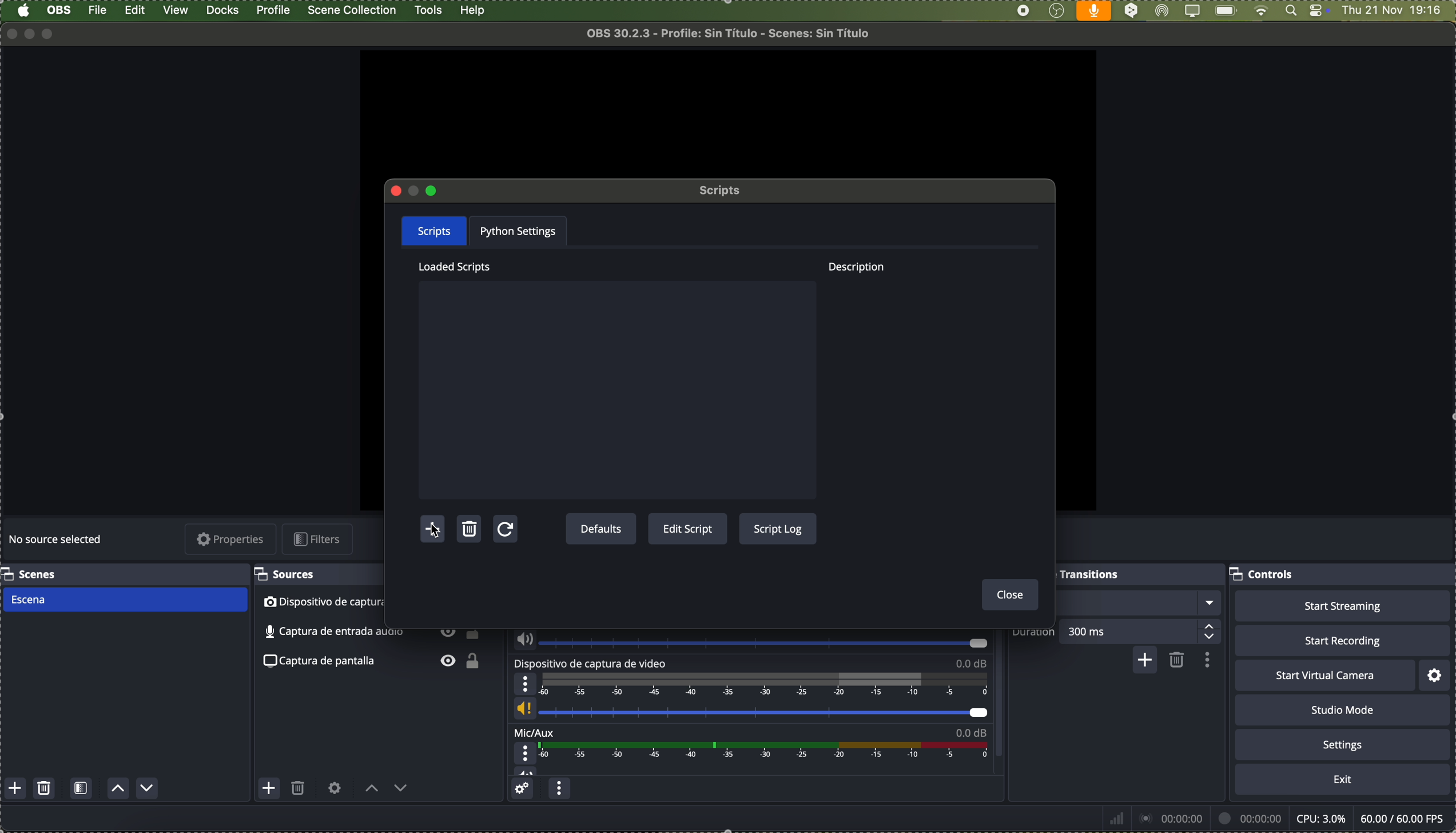 This screenshot has height=833, width=1456. I want to click on view, so click(177, 10).